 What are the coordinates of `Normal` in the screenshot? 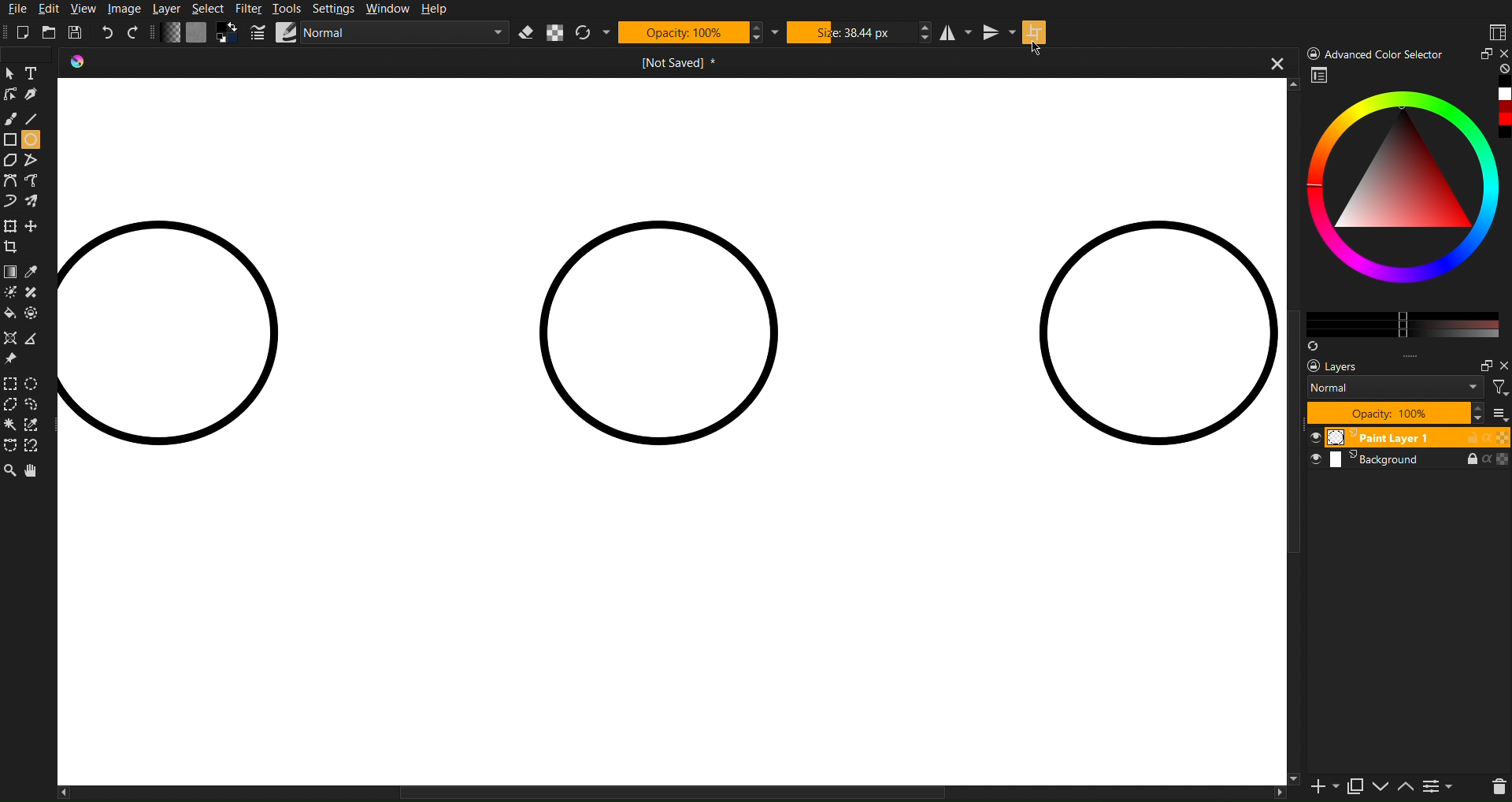 It's located at (1396, 387).